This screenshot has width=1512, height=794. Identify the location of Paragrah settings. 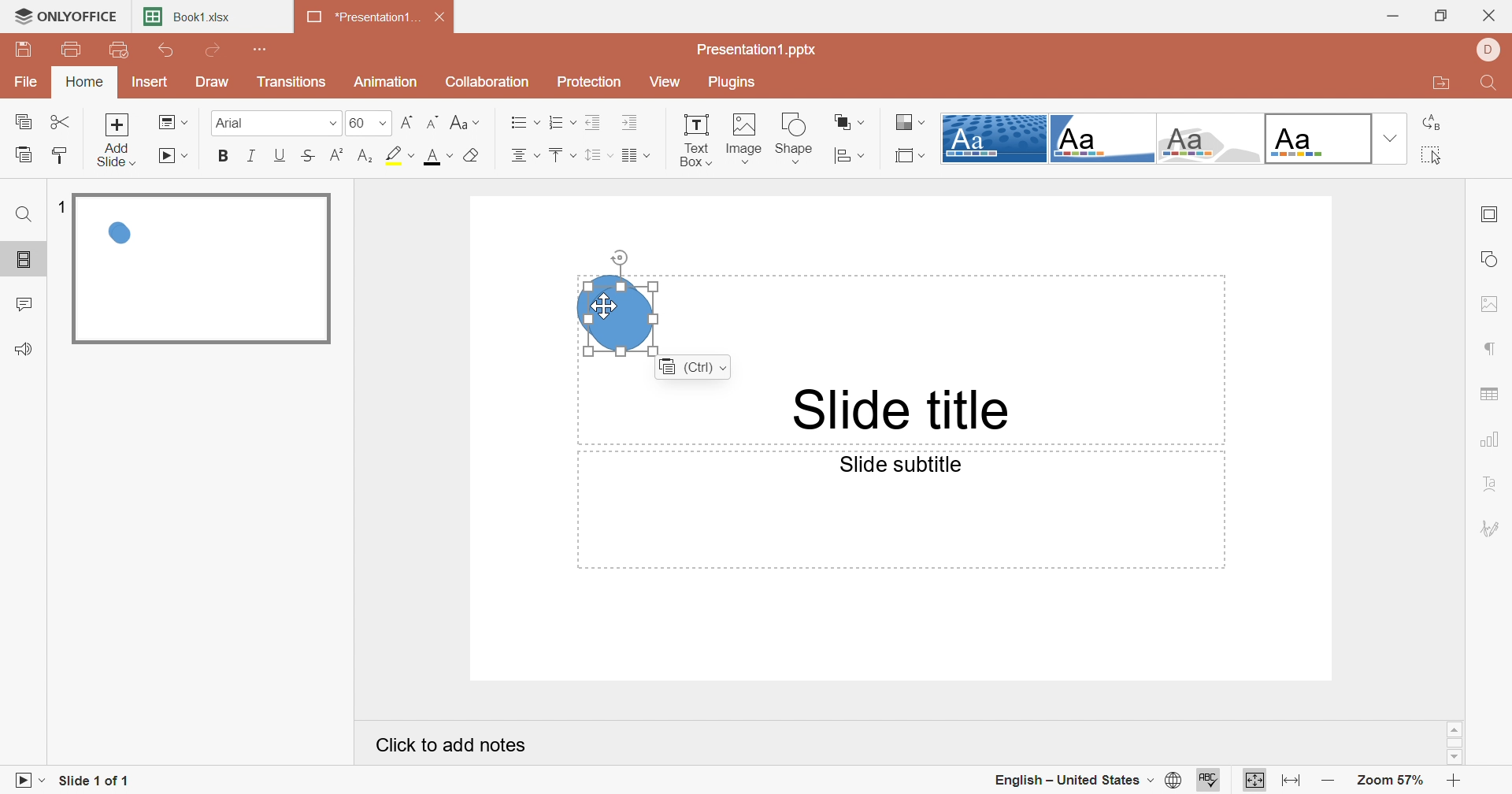
(1492, 347).